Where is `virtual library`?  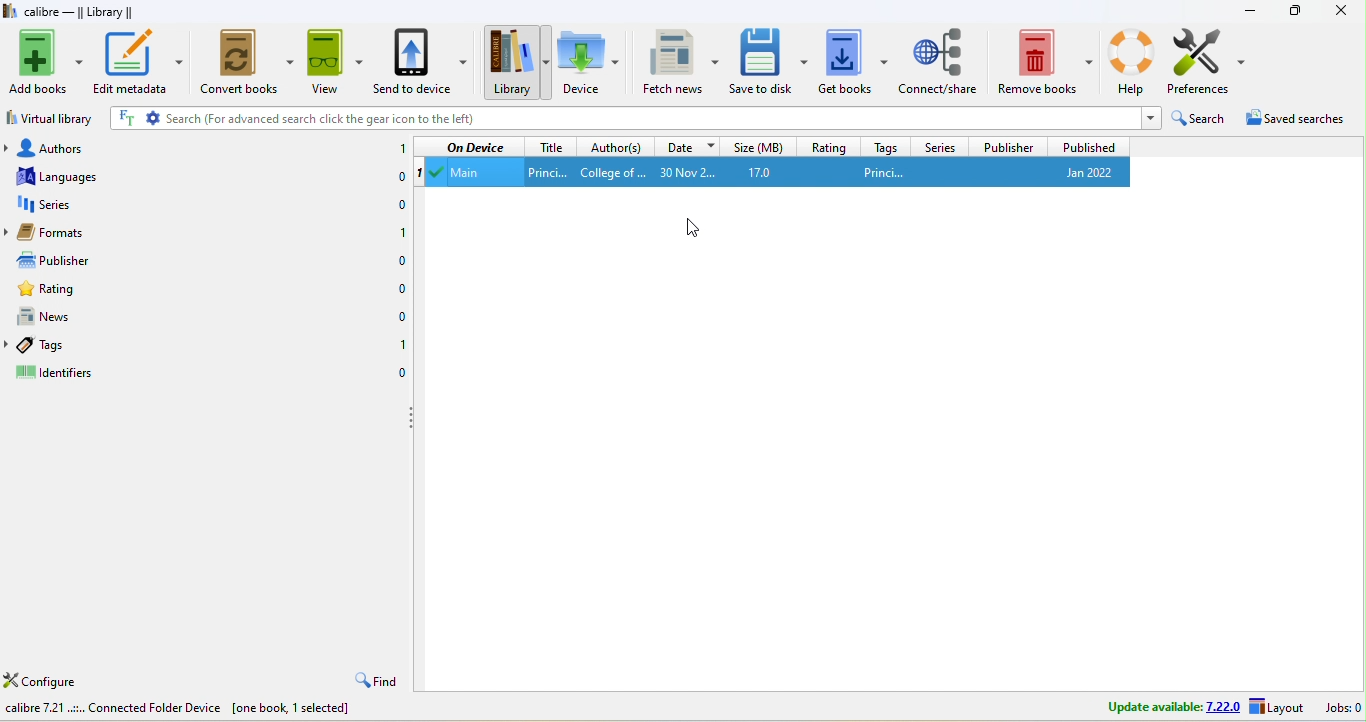
virtual library is located at coordinates (53, 117).